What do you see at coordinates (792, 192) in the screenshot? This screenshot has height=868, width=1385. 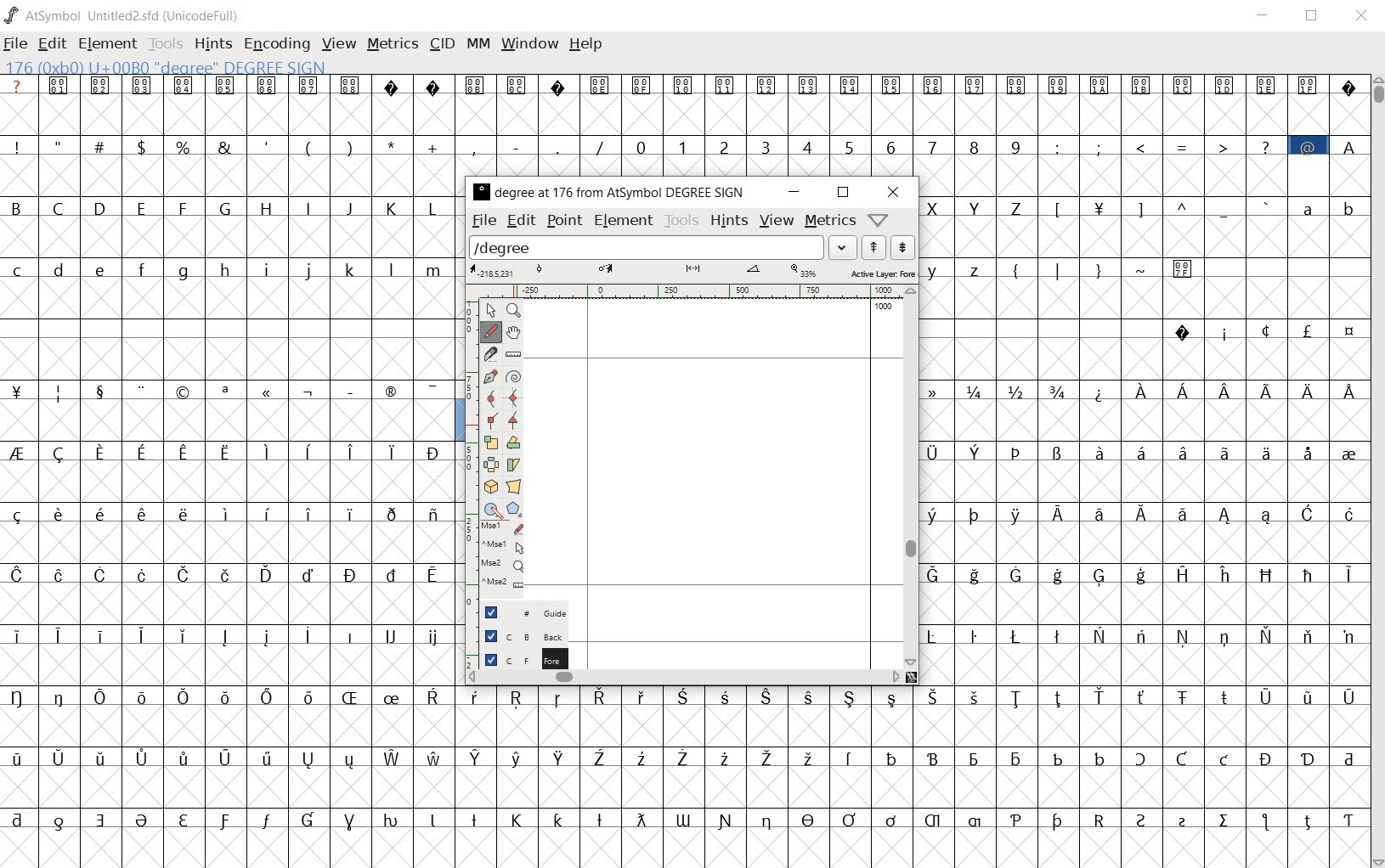 I see `minimize` at bounding box center [792, 192].